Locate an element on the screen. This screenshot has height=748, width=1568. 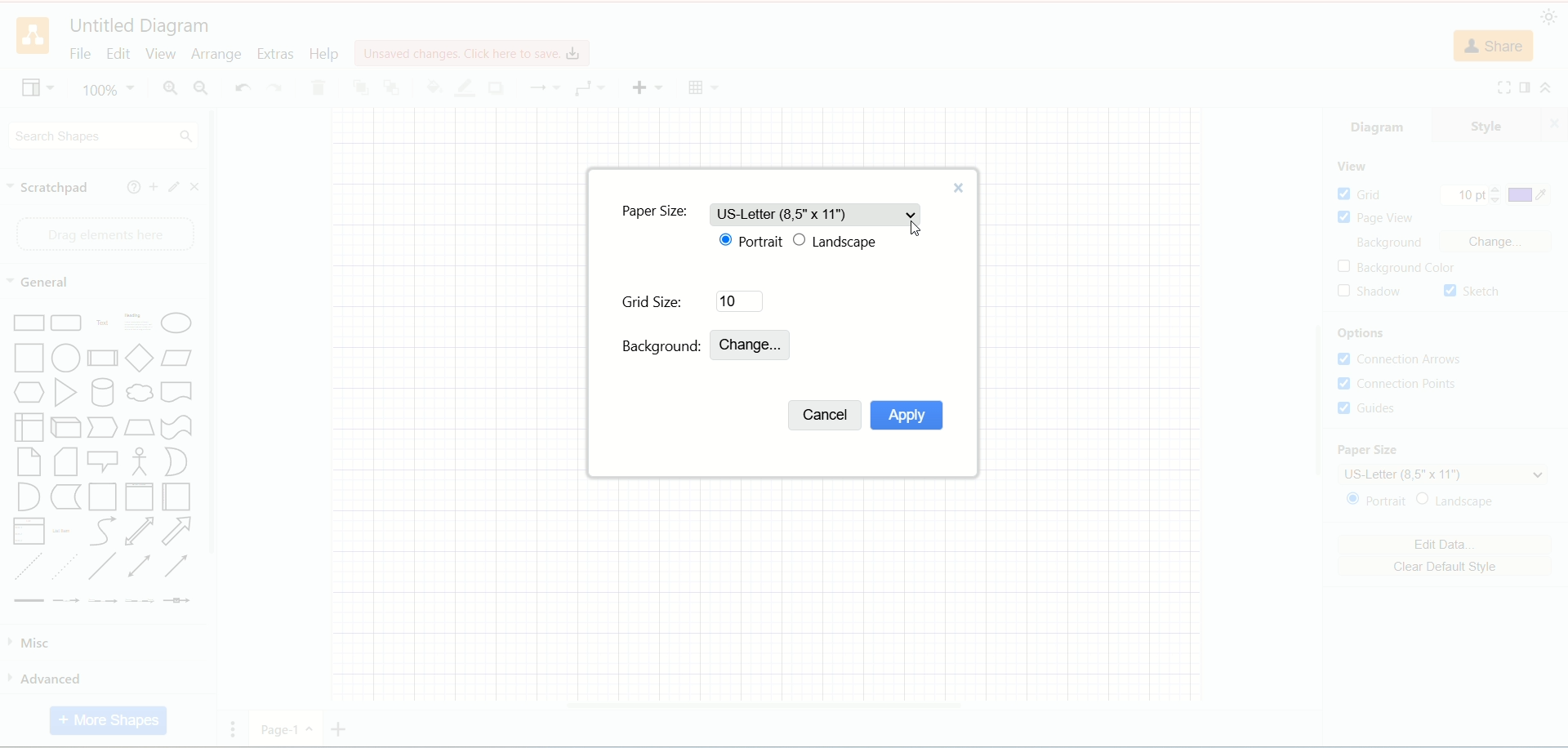
Diamond is located at coordinates (141, 359).